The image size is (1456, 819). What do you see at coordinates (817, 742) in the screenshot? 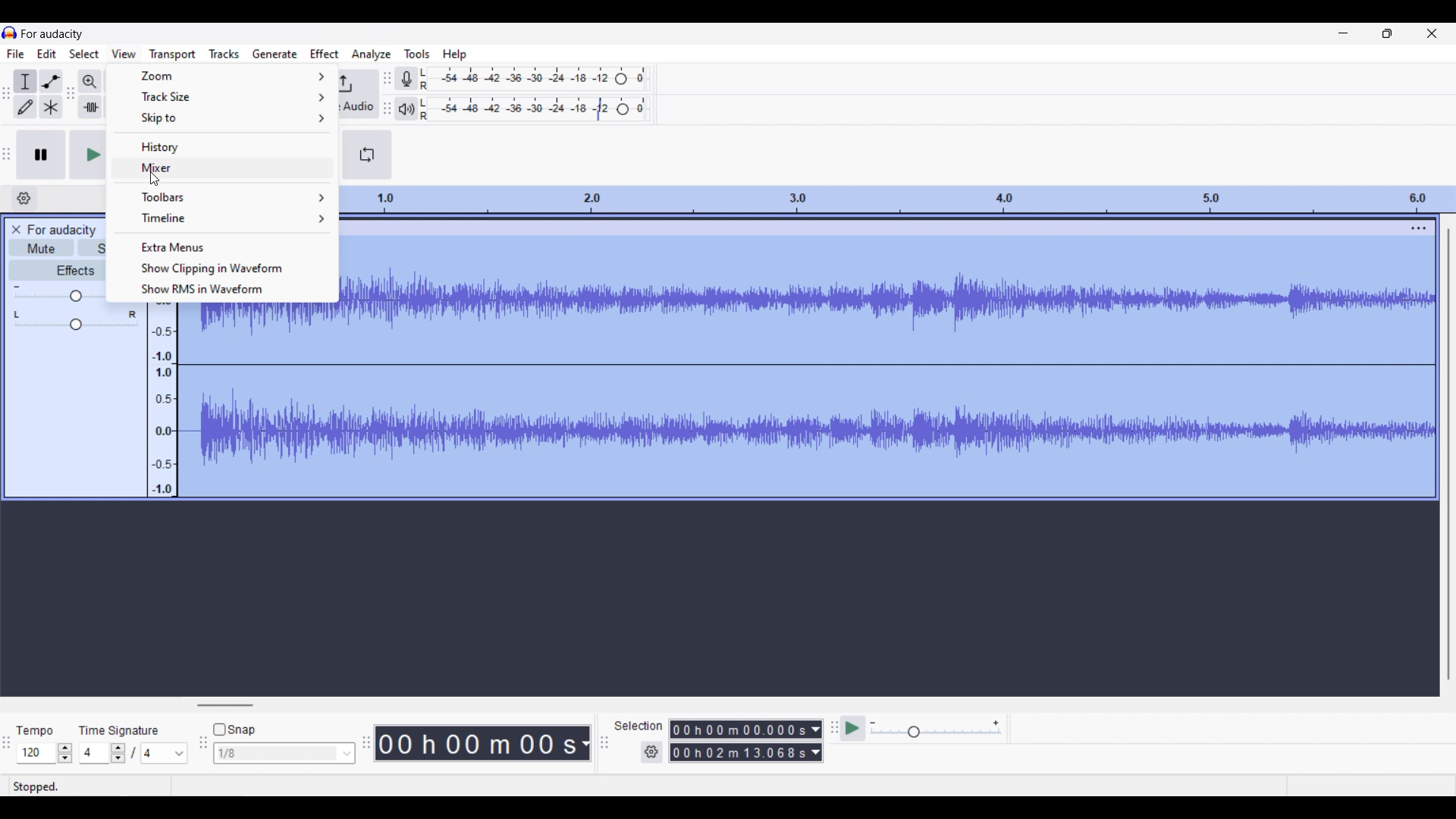
I see `Duration measurement options` at bounding box center [817, 742].